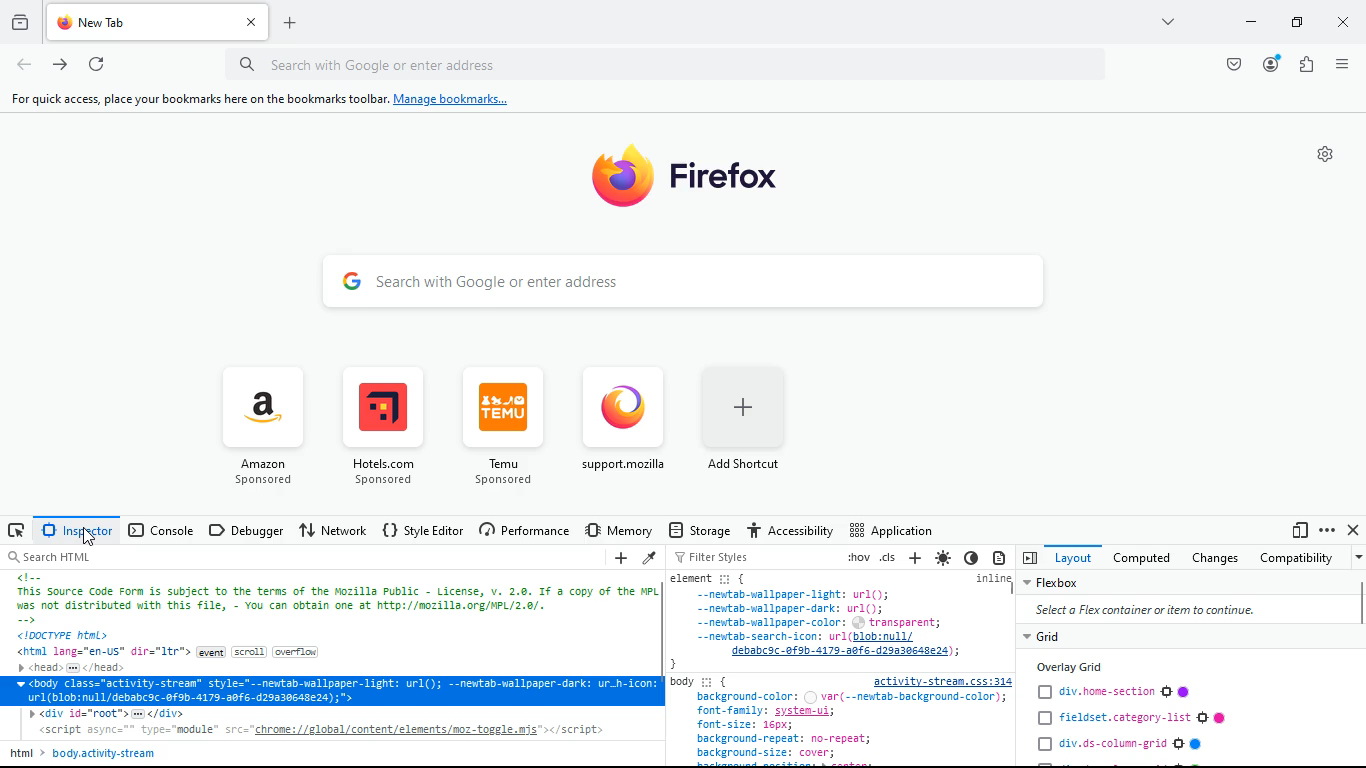 The image size is (1366, 768). Describe the element at coordinates (839, 677) in the screenshot. I see `Ty er Sa a]
~-newtab-wsllpsper-dark: url();
~-newtab-wallpaper-color: () transparent;
reset icon: QOL

debabegc-0f9b-4179-00f6-d25030648624);

ay i ( activity-stream.css:31
background-color: () var(--newtab-background-color) ;
font-family: systen-ui;
font-size: 16px;
background-repeat: no-repeat;
background-size: cover;` at that location.